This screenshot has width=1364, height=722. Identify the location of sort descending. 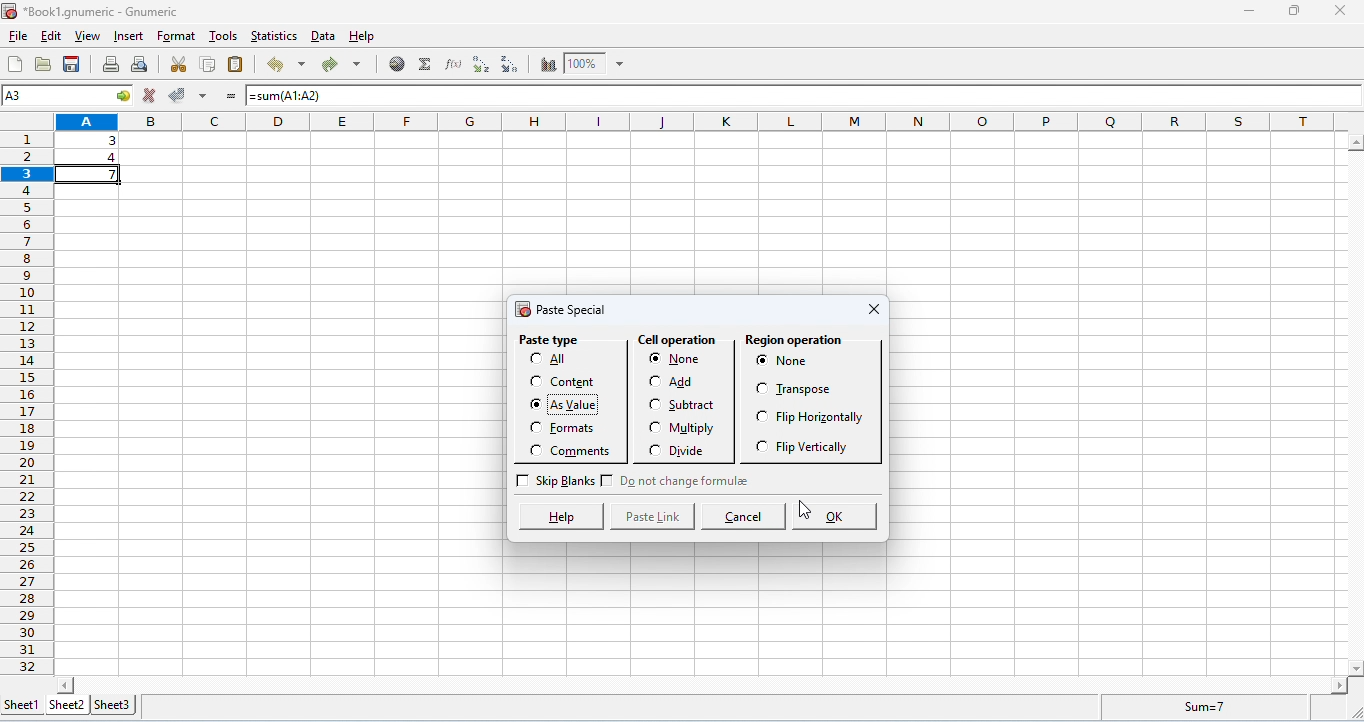
(510, 66).